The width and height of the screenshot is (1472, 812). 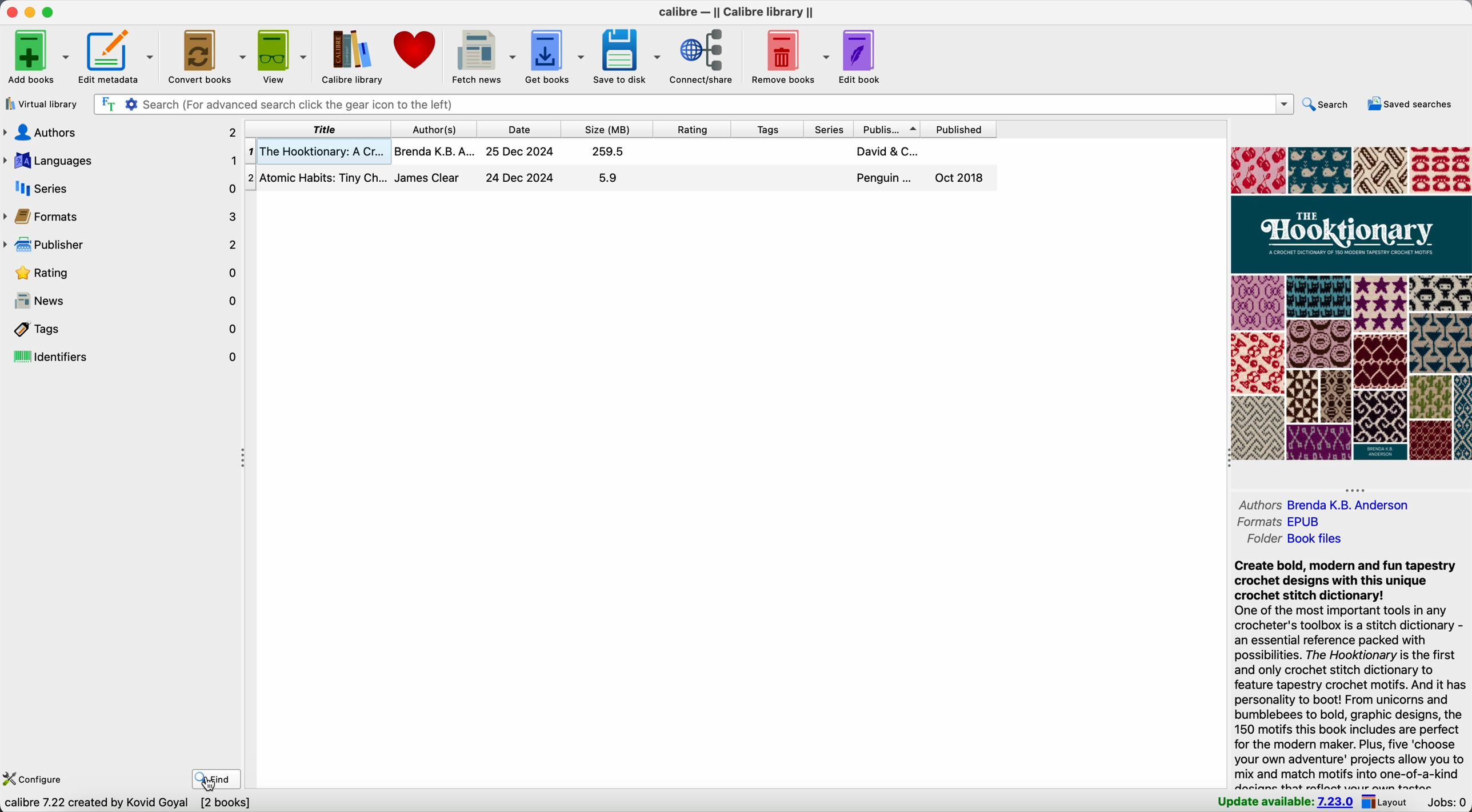 I want to click on edit metadata, so click(x=119, y=56).